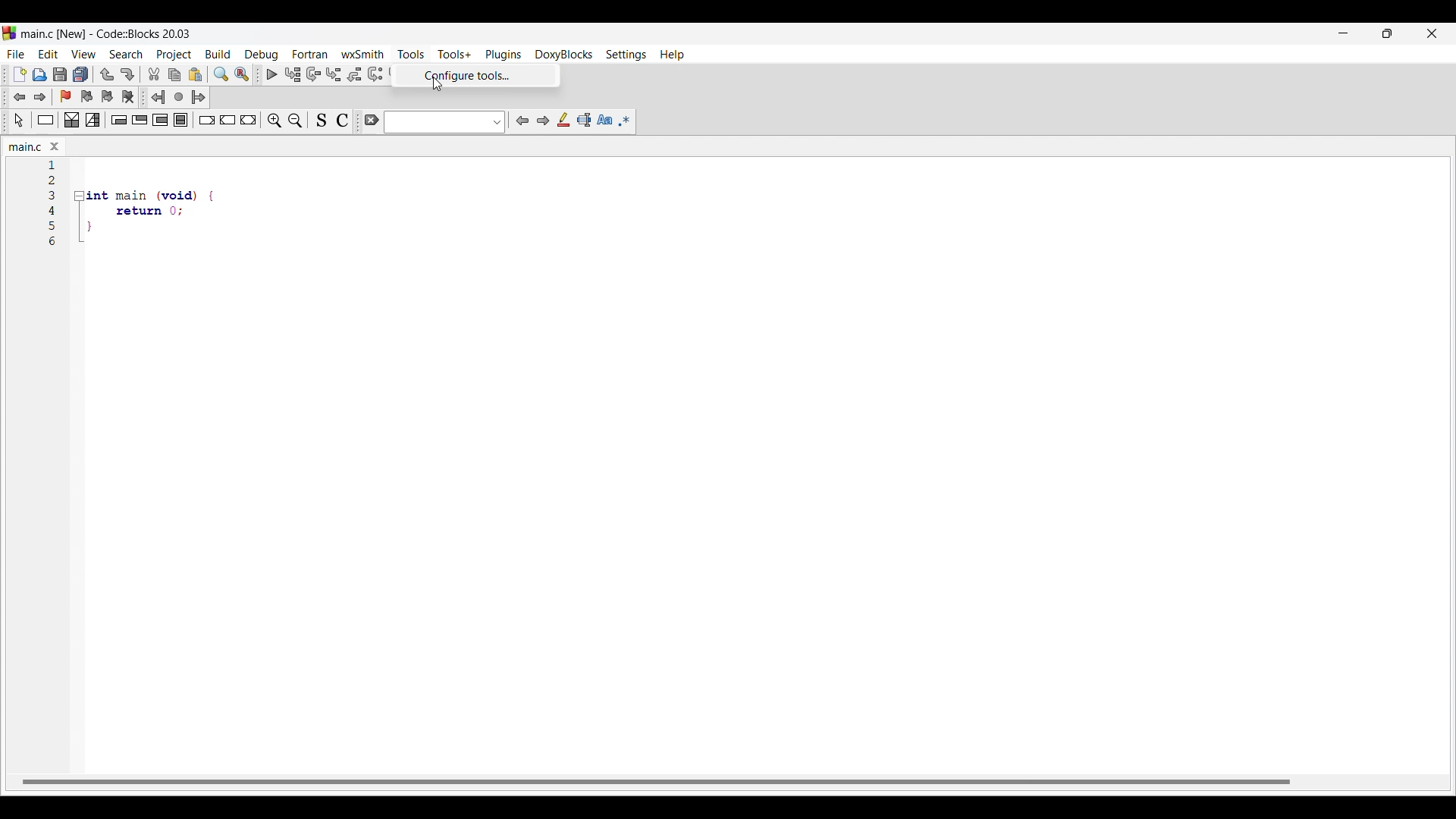  I want to click on Copy, so click(174, 75).